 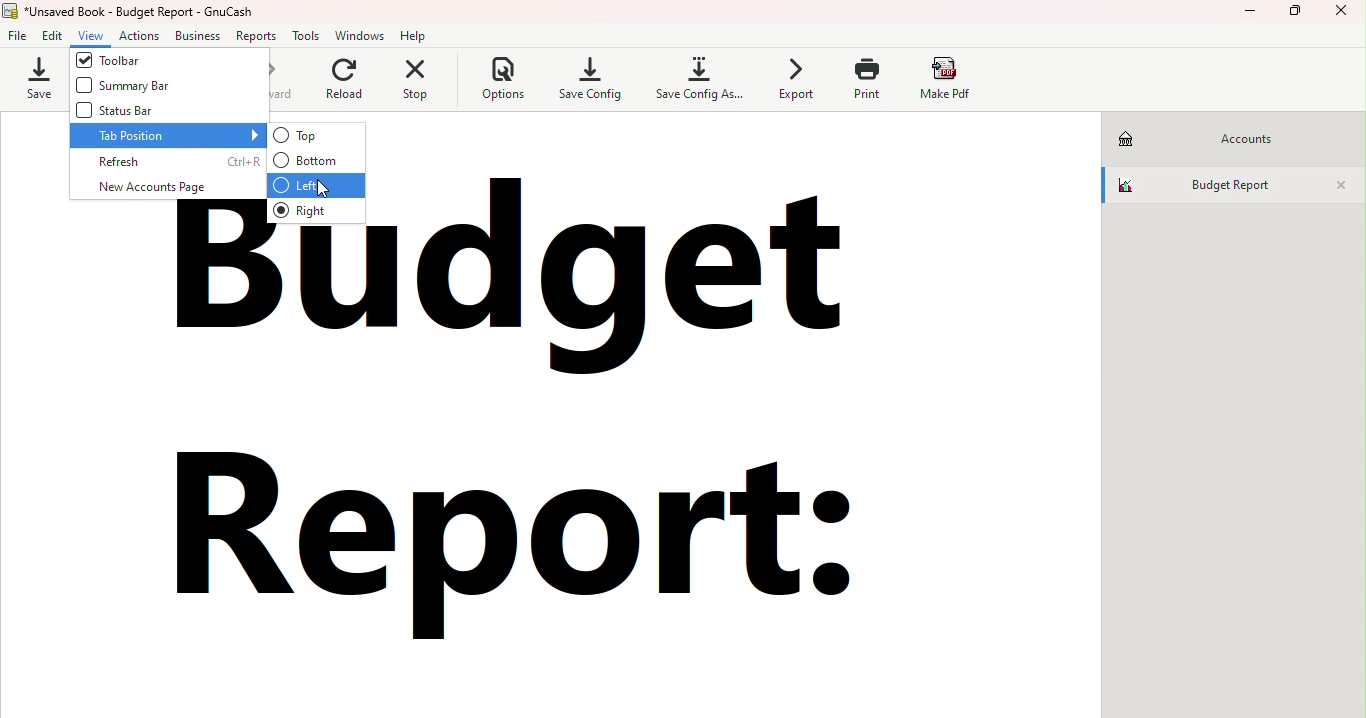 I want to click on Tab position, so click(x=169, y=136).